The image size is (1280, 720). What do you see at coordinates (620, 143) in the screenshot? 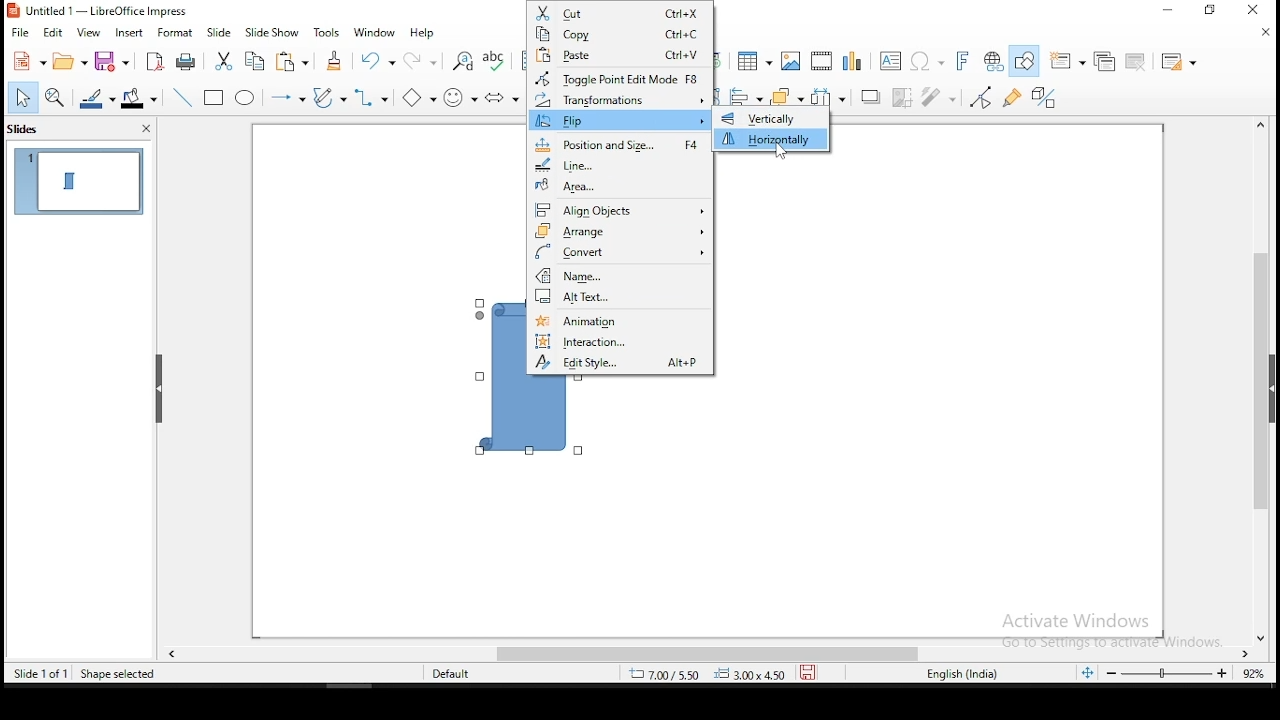
I see `position and size` at bounding box center [620, 143].